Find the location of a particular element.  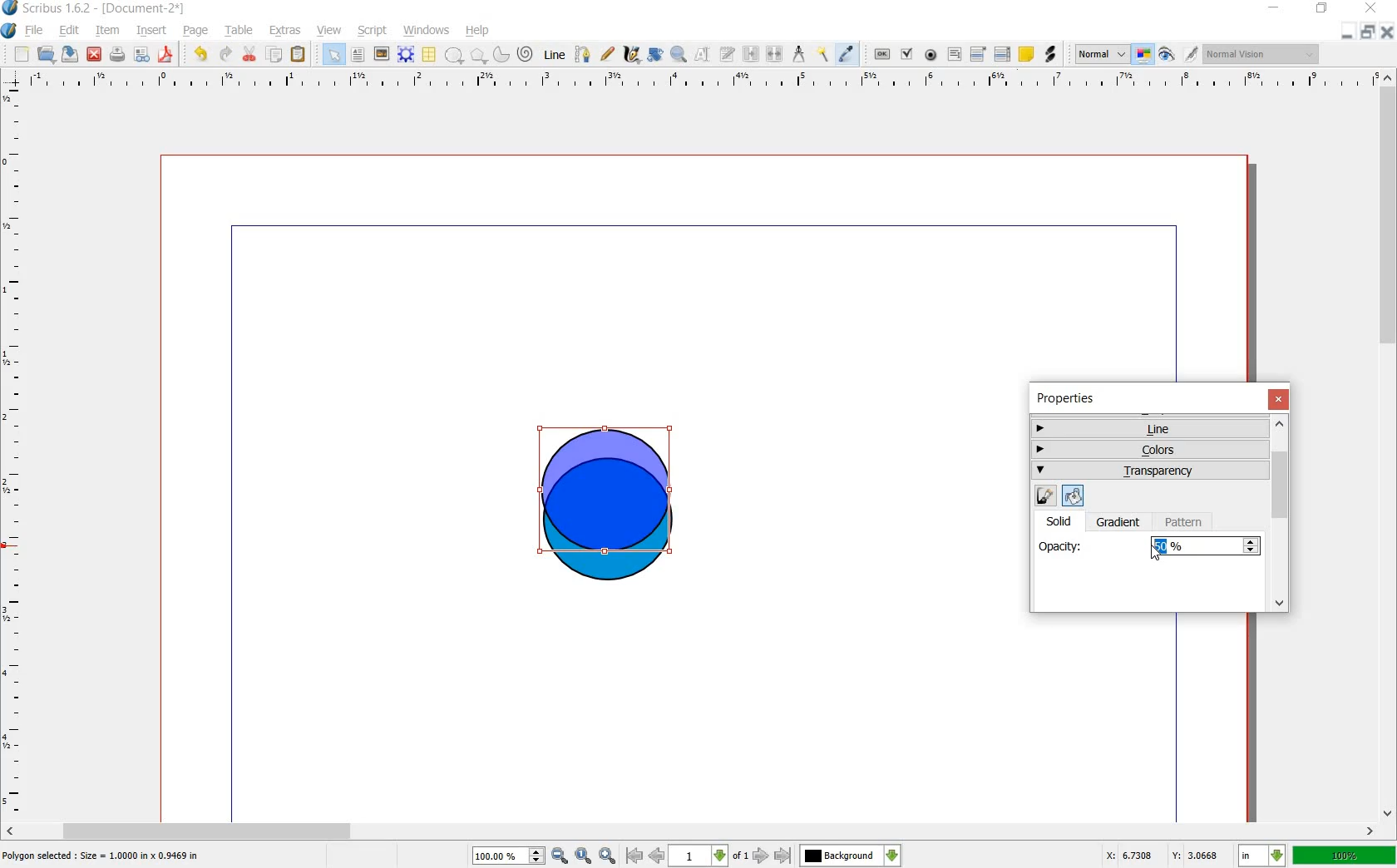

preview mode is located at coordinates (1166, 57).